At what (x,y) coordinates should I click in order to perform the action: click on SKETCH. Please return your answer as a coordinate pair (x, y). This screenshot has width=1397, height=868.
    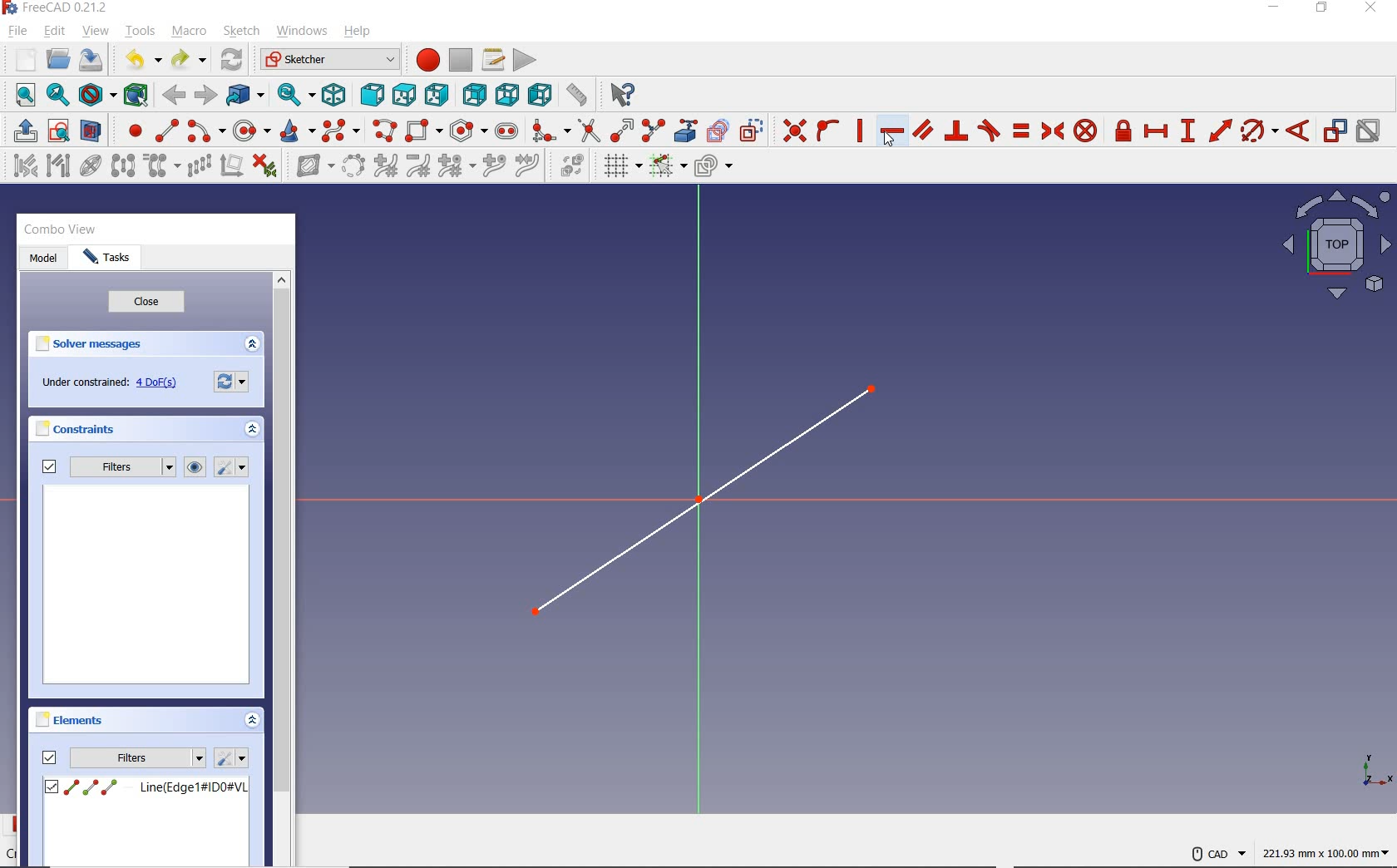
    Looking at the image, I should click on (241, 31).